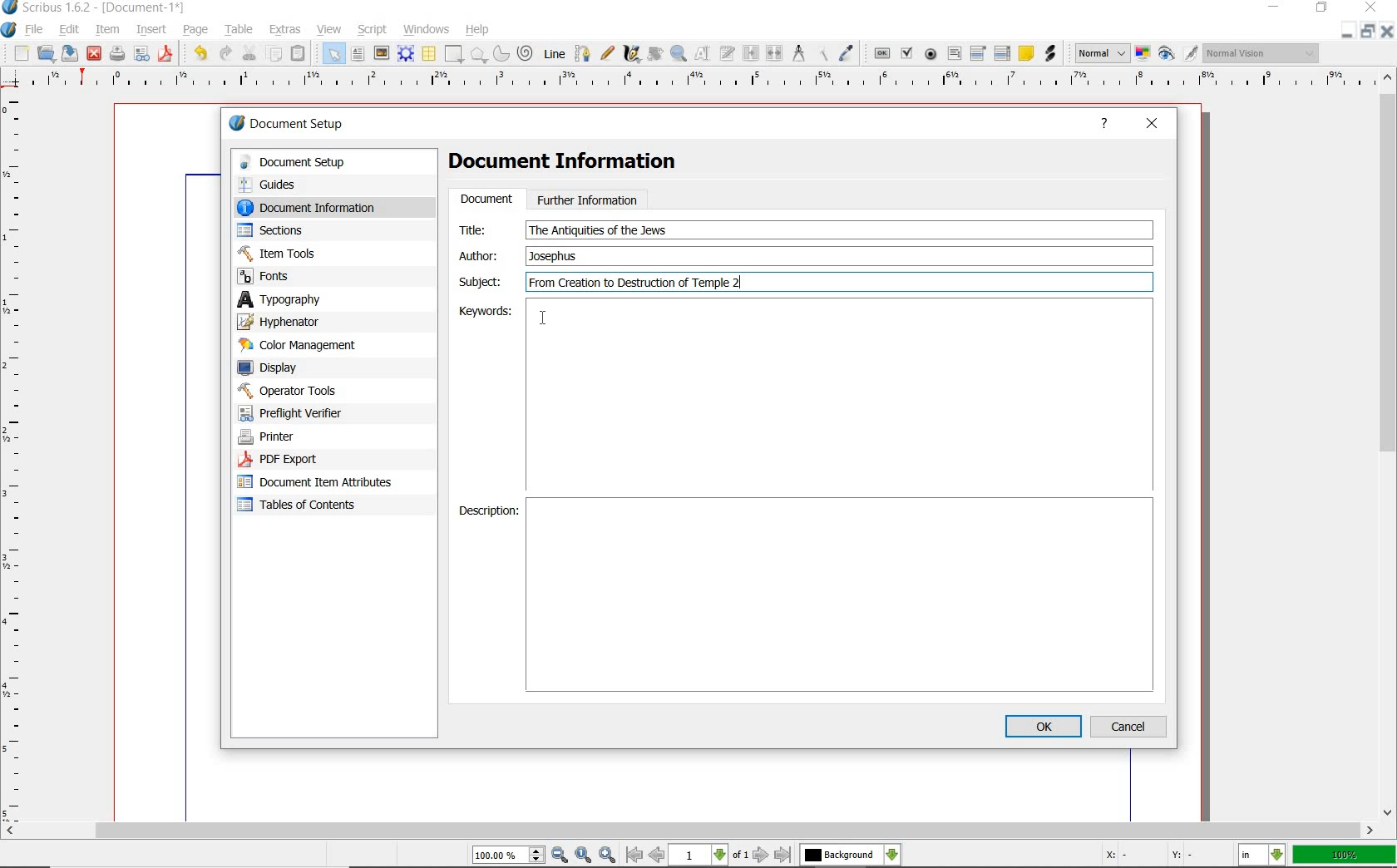  I want to click on sections, so click(307, 230).